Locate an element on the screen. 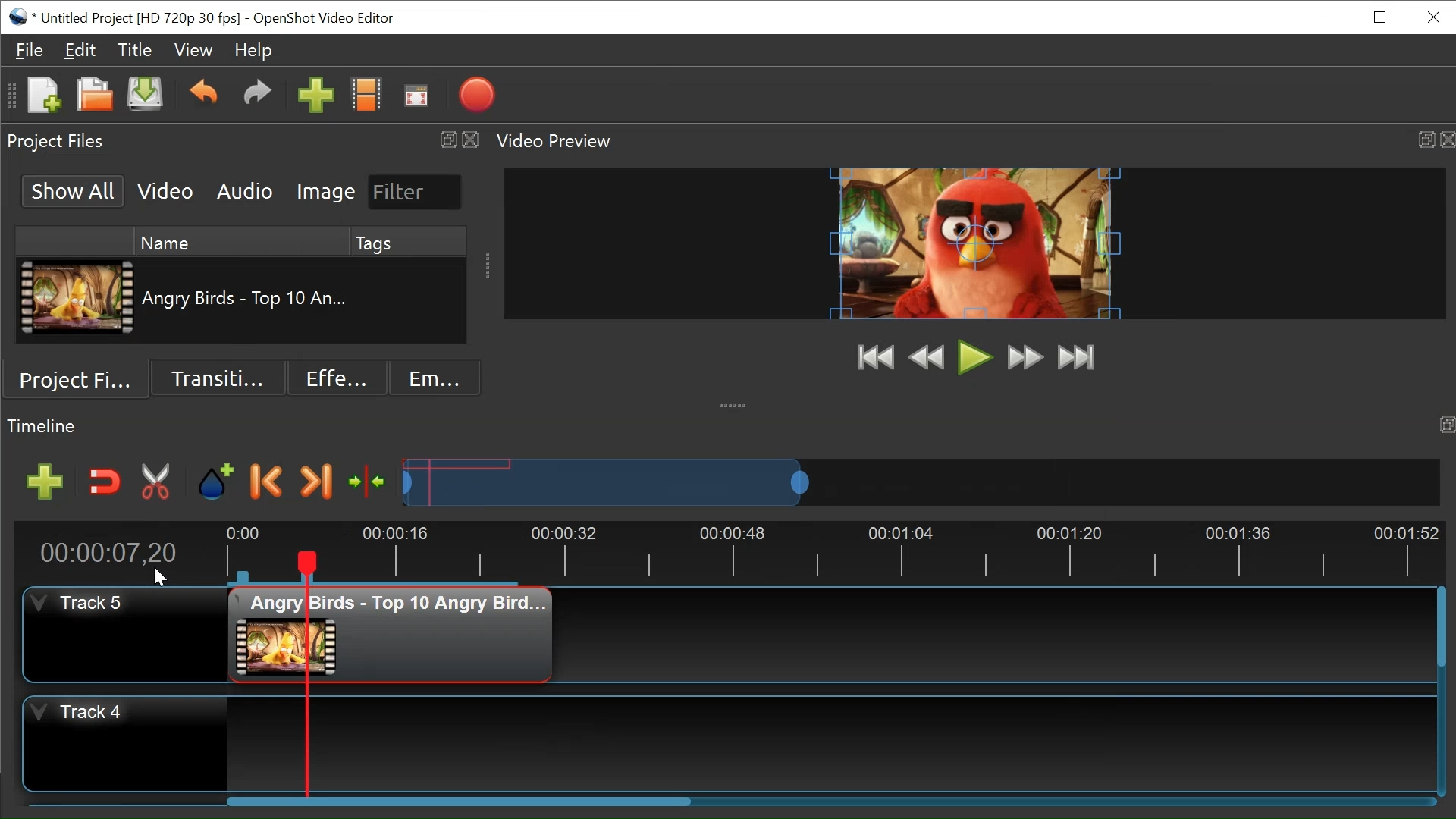 This screenshot has width=1456, height=819. Import Files is located at coordinates (315, 97).